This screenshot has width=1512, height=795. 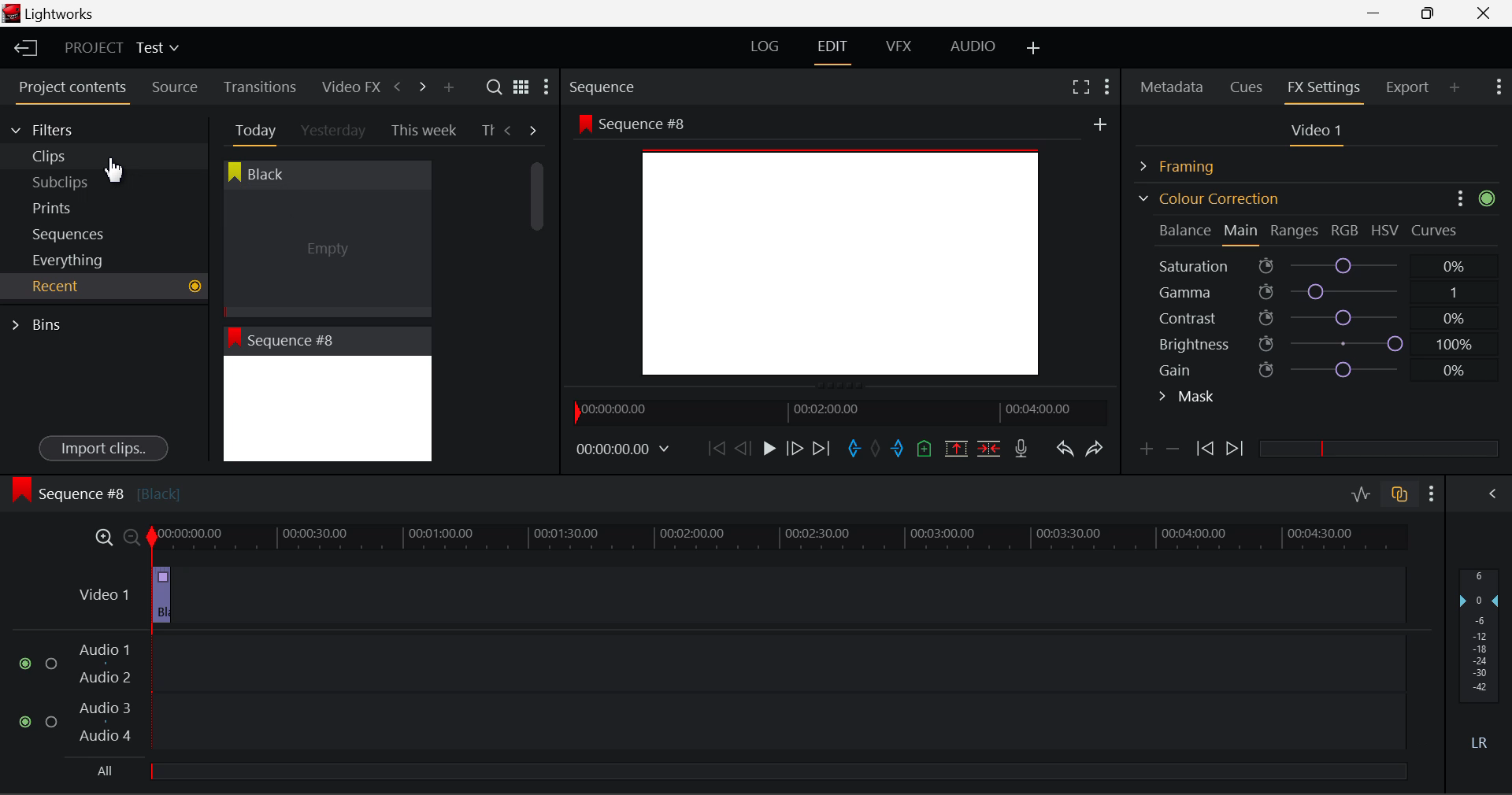 I want to click on Sequence Preview Section, so click(x=606, y=88).